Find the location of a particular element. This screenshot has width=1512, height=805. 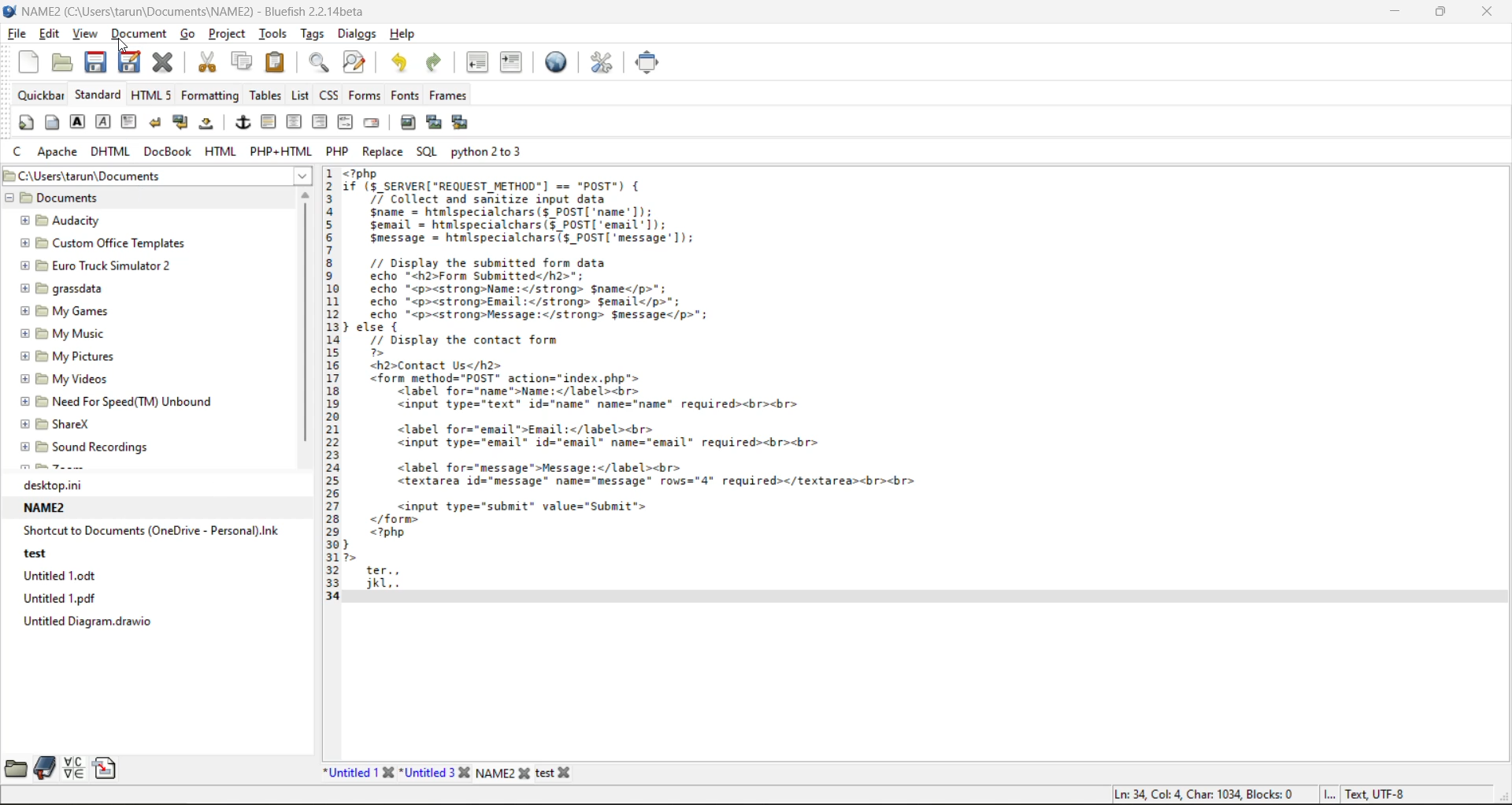

body is located at coordinates (53, 122).